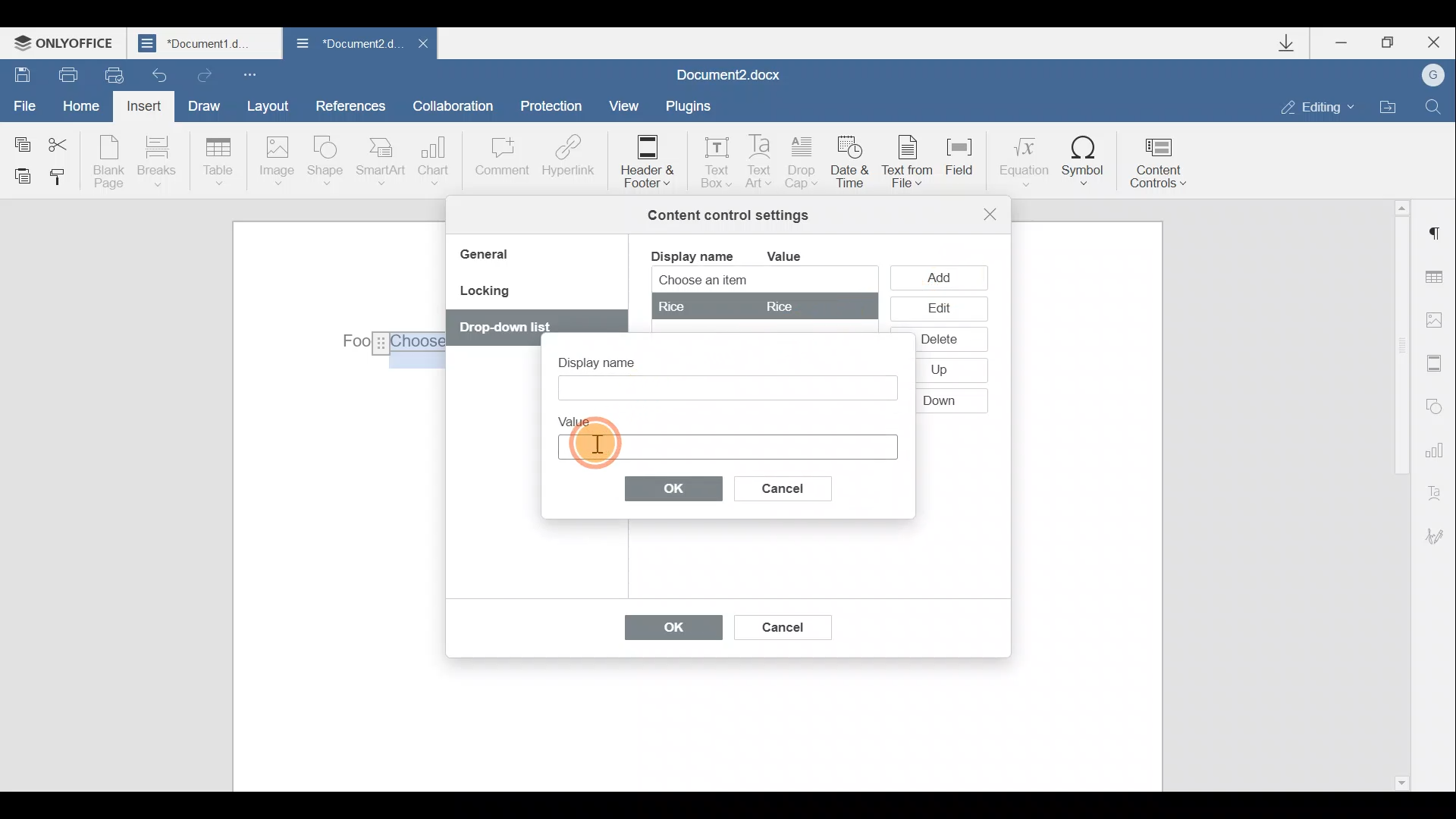 The image size is (1456, 819). I want to click on Cancel, so click(781, 624).